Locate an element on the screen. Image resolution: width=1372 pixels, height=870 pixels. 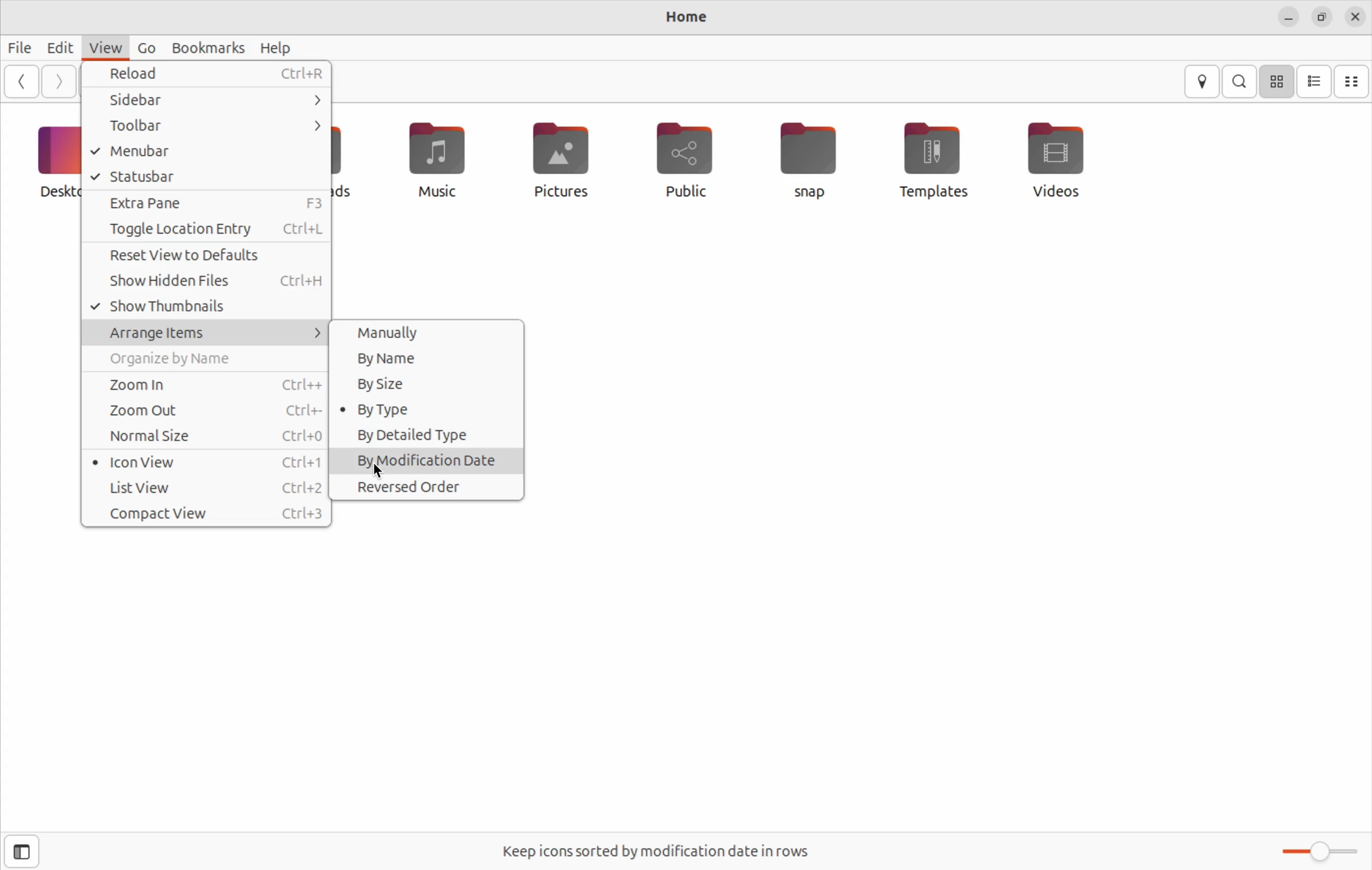
help is located at coordinates (277, 48).